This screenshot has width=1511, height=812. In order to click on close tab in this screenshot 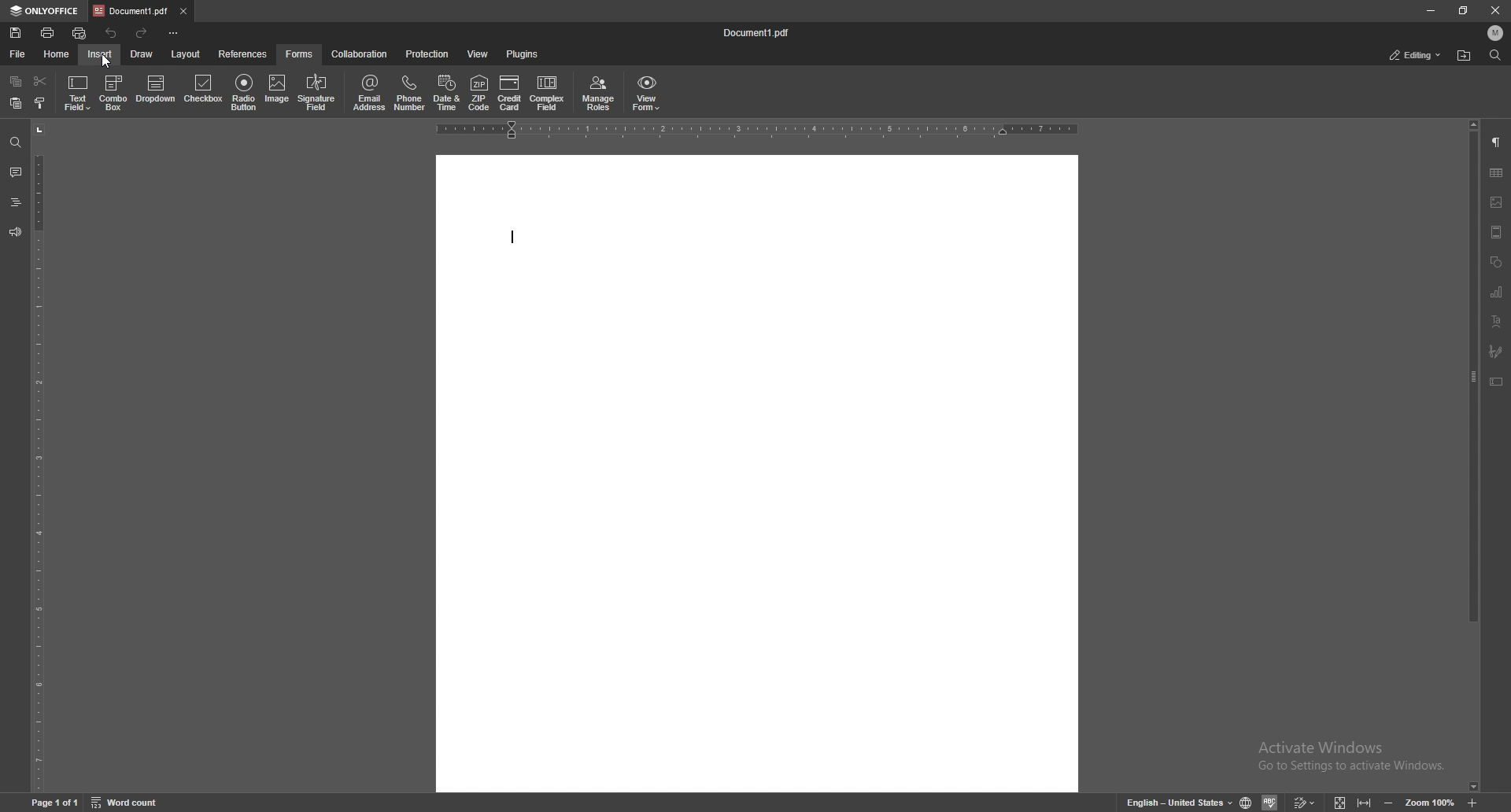, I will do `click(184, 12)`.